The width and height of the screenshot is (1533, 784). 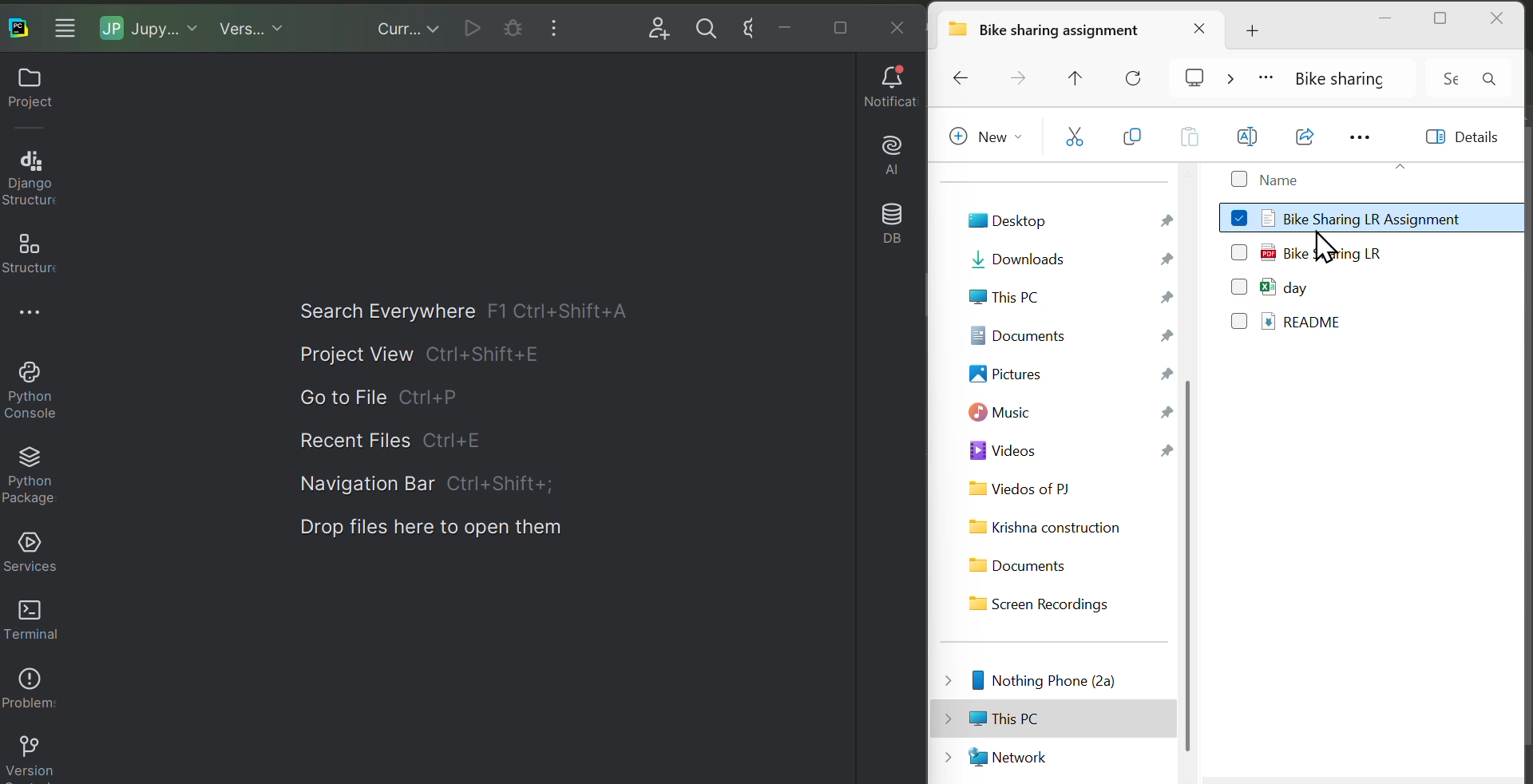 What do you see at coordinates (897, 28) in the screenshot?
I see `Close` at bounding box center [897, 28].